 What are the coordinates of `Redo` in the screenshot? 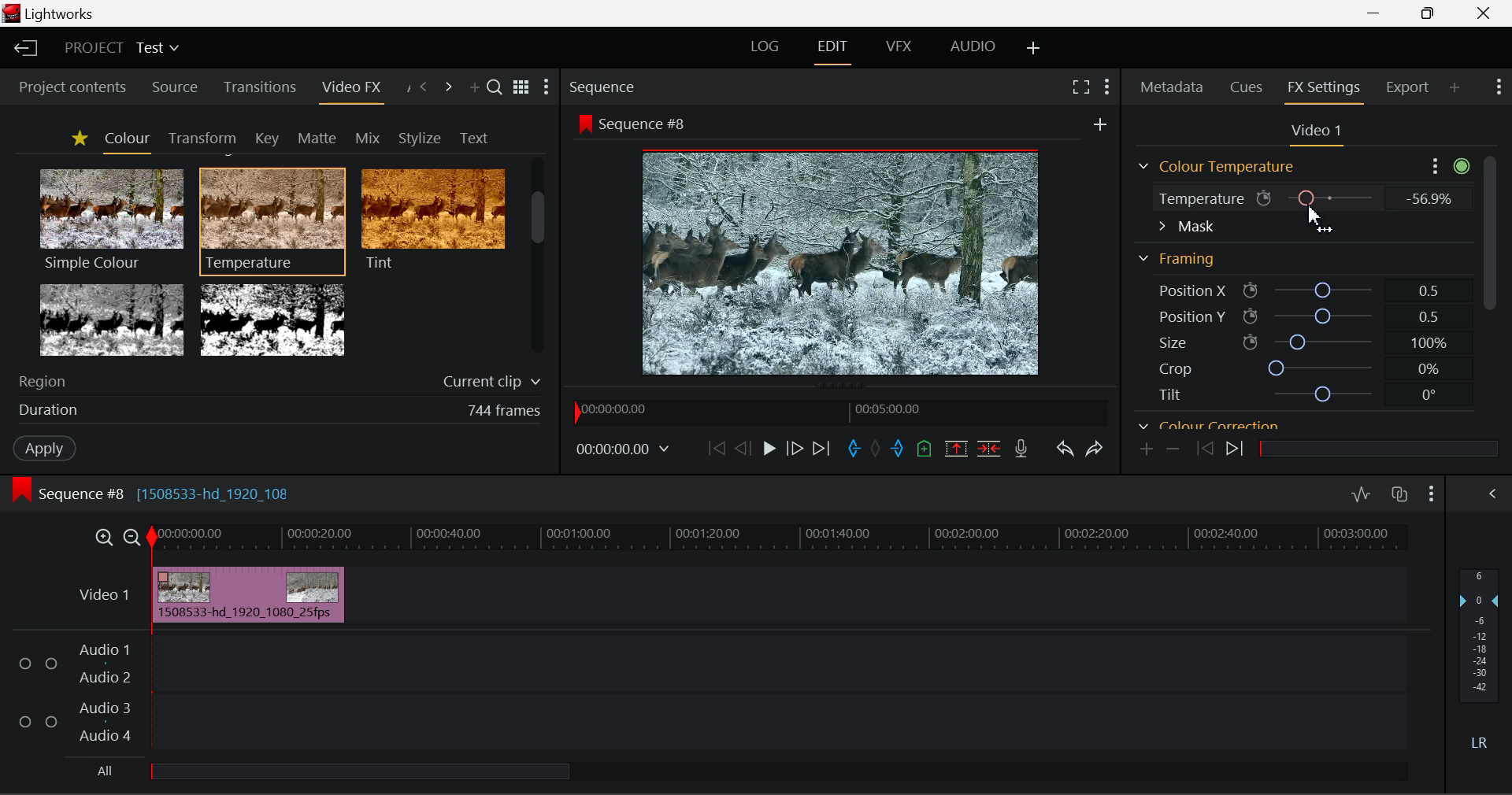 It's located at (1098, 449).